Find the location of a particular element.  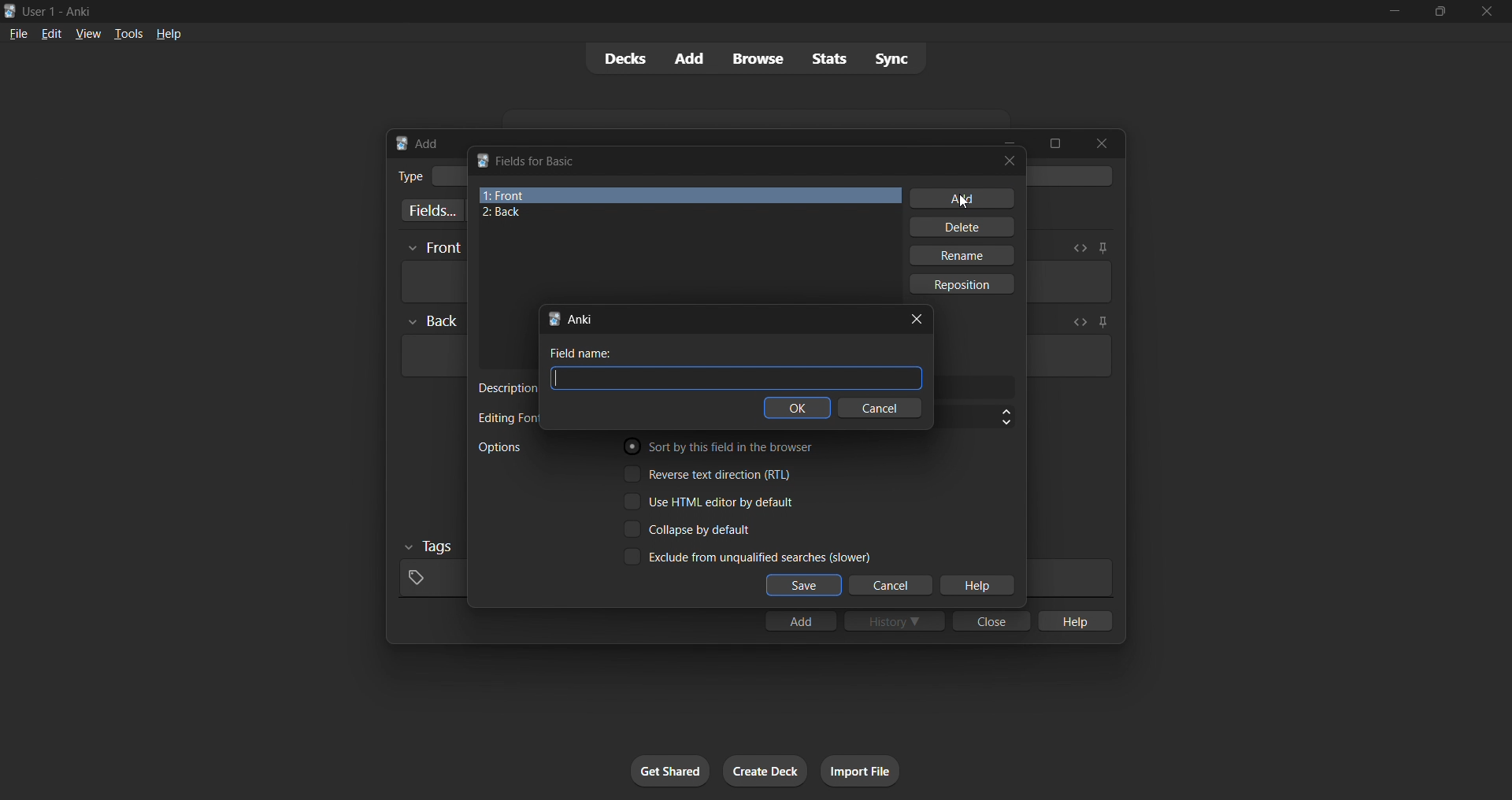

close is located at coordinates (1102, 143).